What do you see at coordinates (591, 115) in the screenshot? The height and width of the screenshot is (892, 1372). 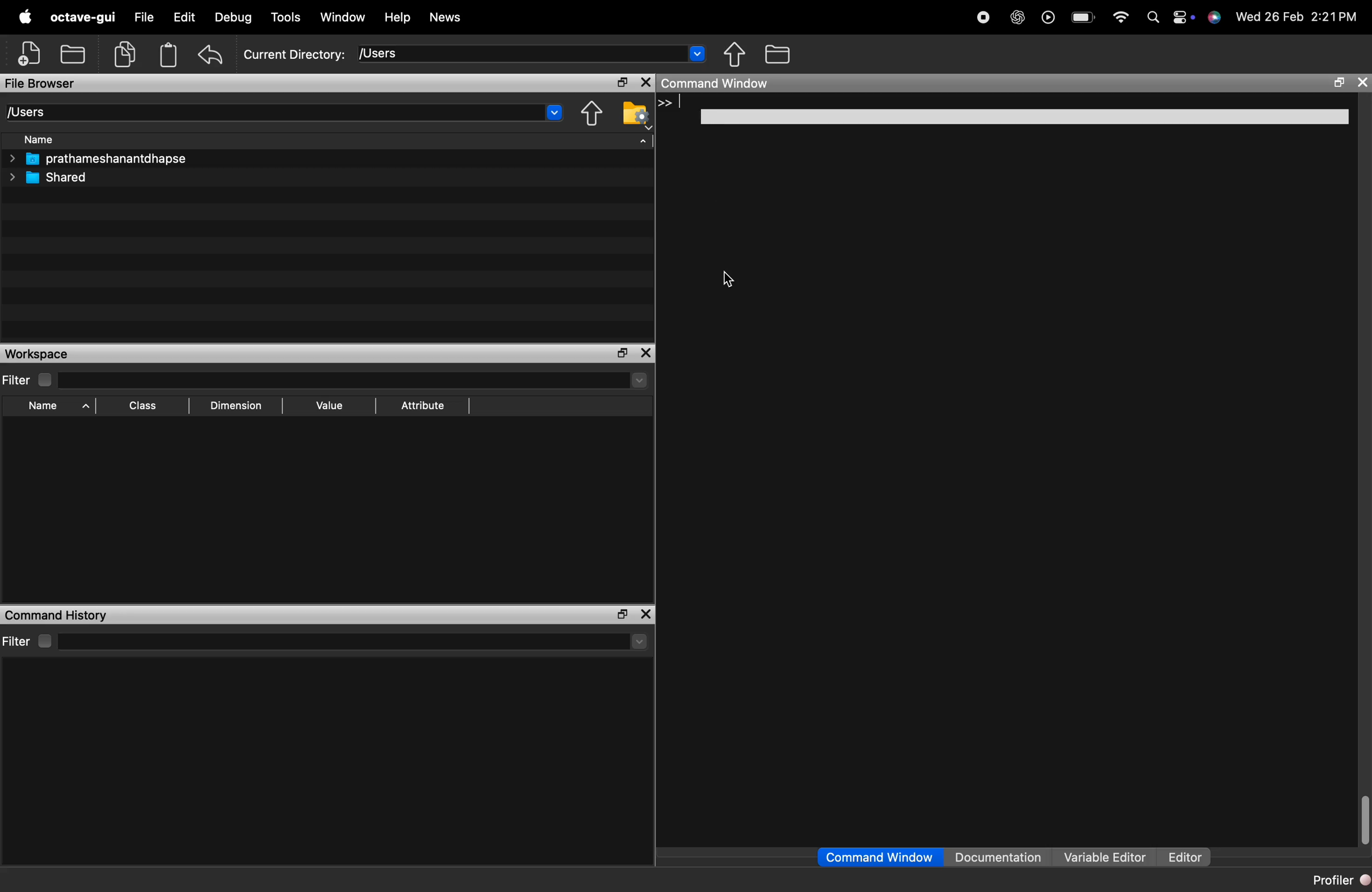 I see `one directory up` at bounding box center [591, 115].